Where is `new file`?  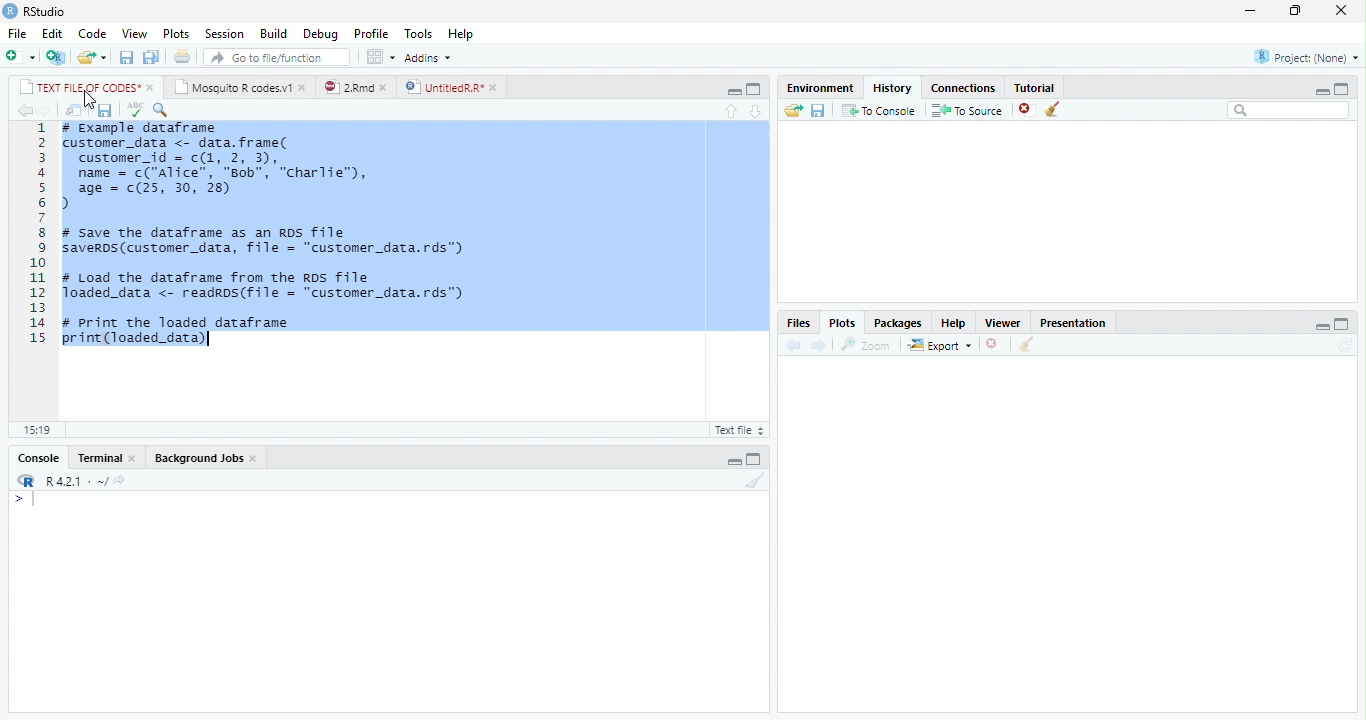 new file is located at coordinates (21, 56).